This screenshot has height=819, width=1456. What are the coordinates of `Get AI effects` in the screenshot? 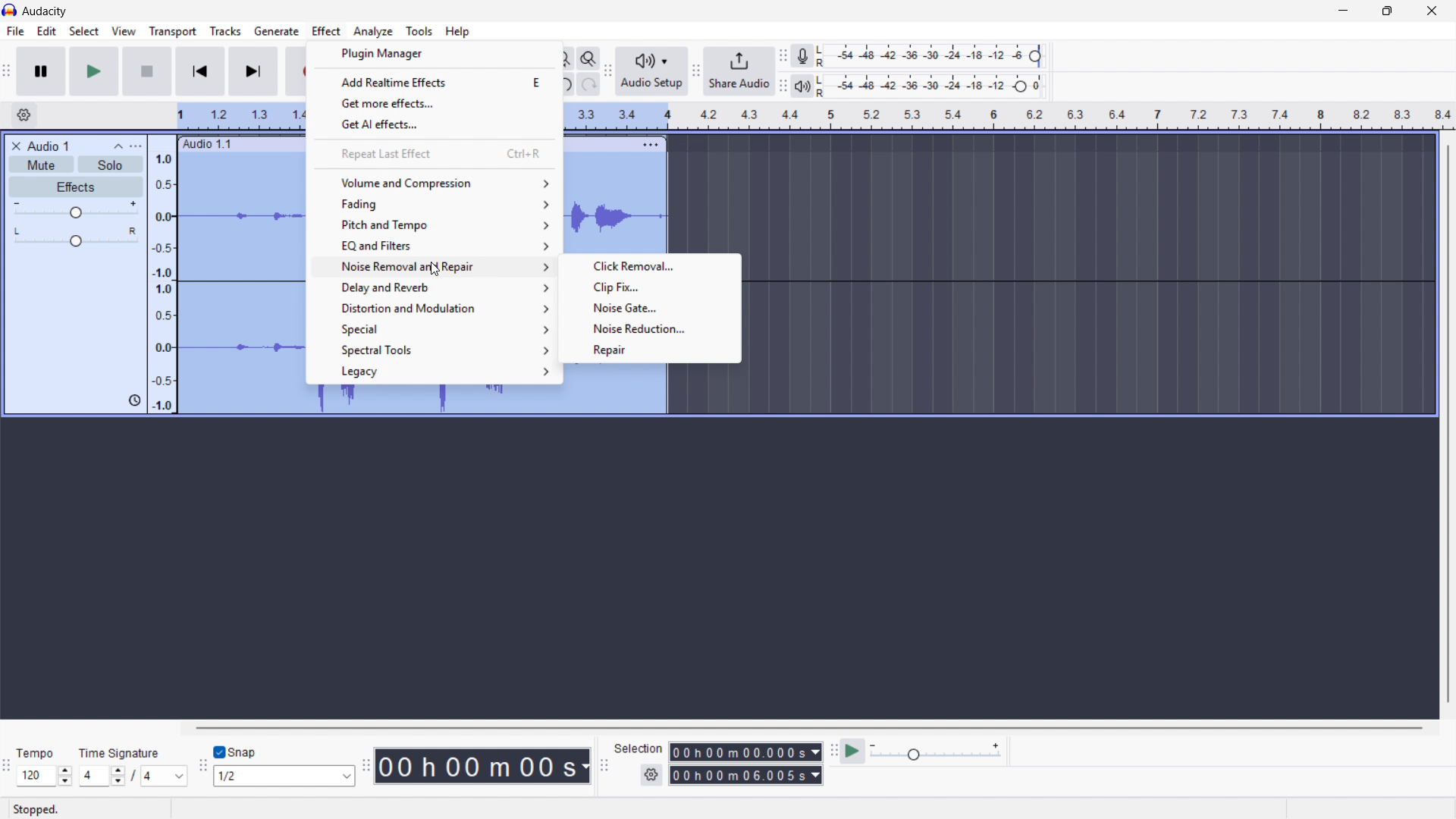 It's located at (436, 123).